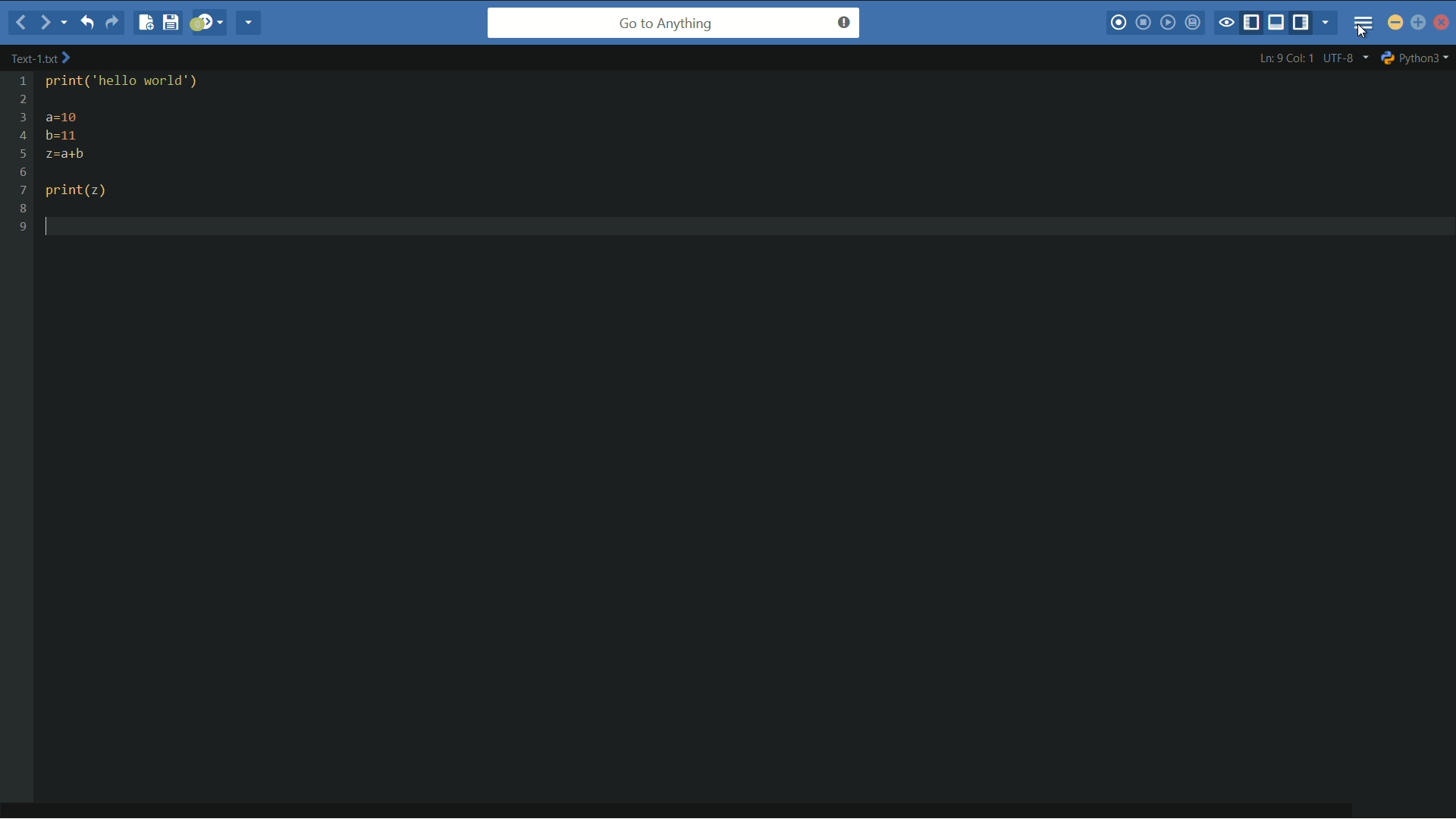  Describe the element at coordinates (17, 24) in the screenshot. I see `back` at that location.